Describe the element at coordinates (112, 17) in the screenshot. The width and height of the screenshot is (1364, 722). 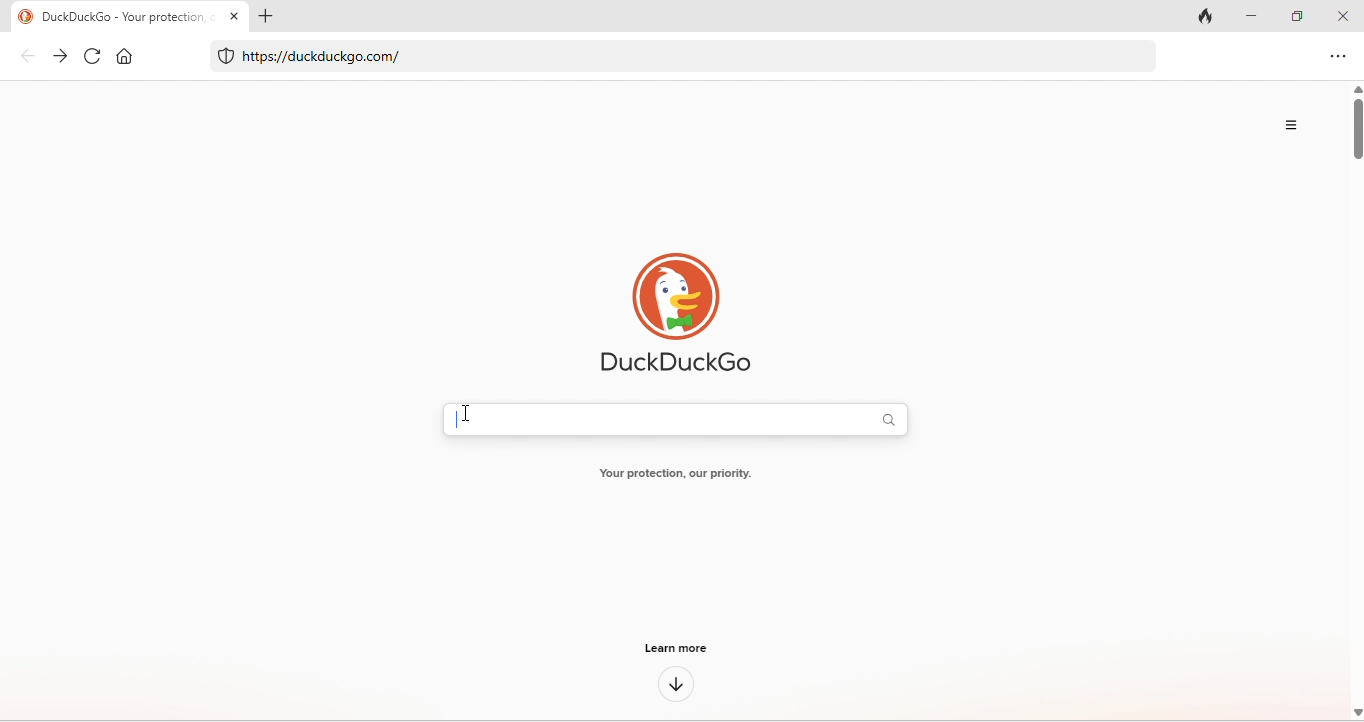
I see `title` at that location.